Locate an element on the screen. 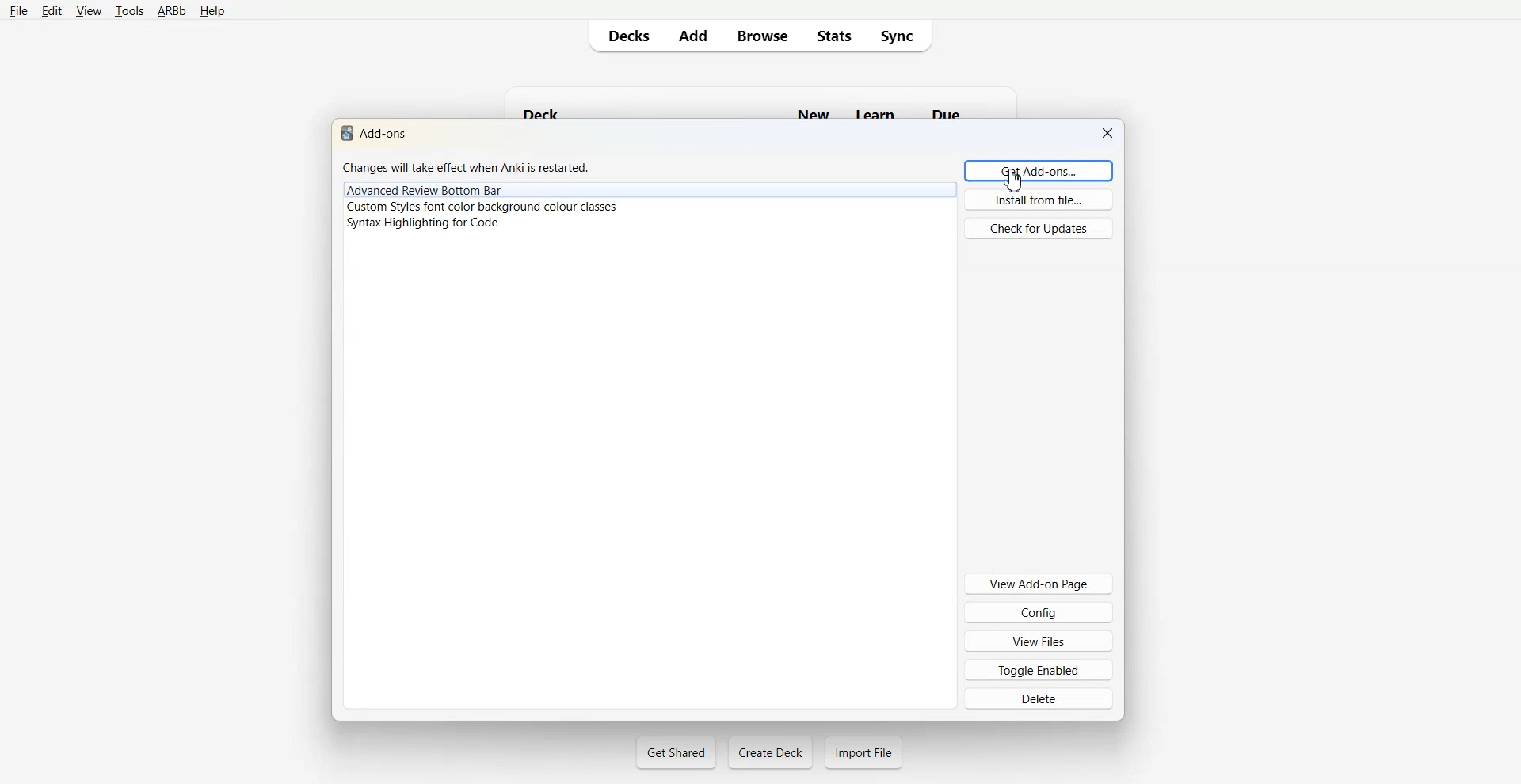  Install from file is located at coordinates (1039, 200).